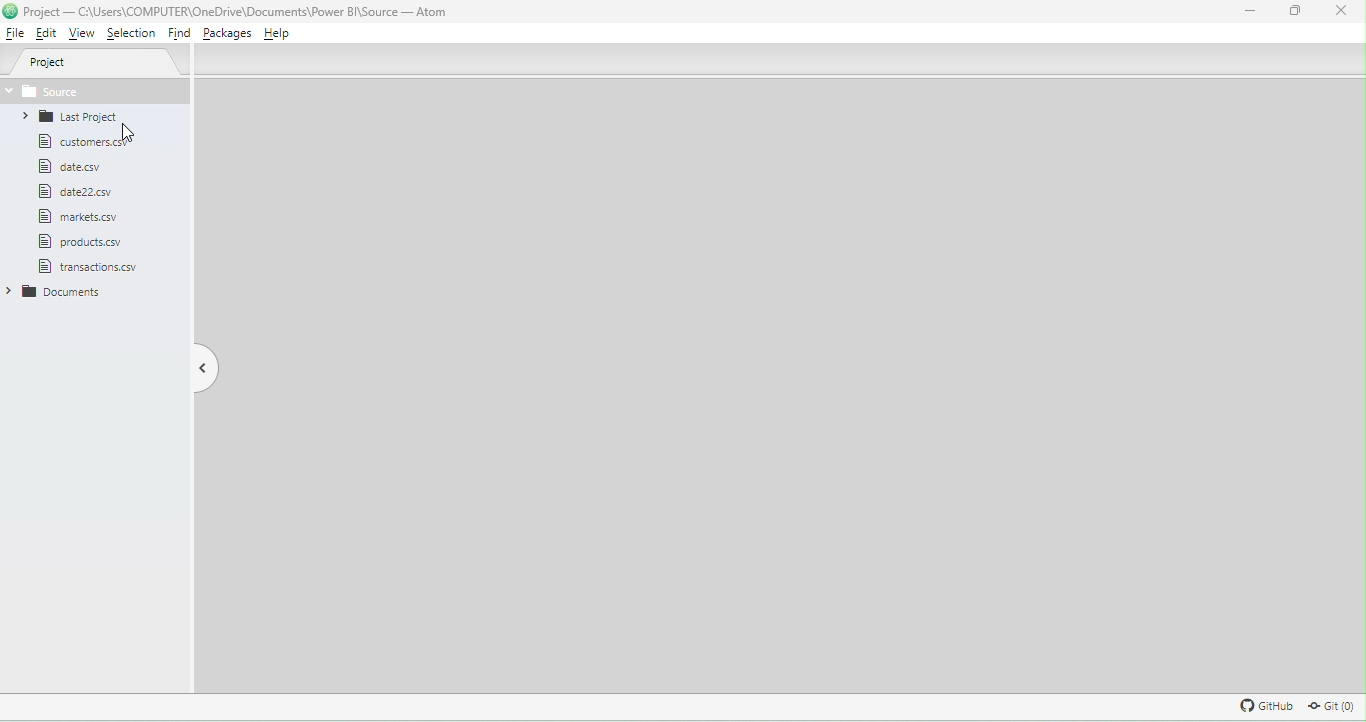 This screenshot has height=722, width=1366. What do you see at coordinates (202, 366) in the screenshot?
I see `Toggle tree view` at bounding box center [202, 366].